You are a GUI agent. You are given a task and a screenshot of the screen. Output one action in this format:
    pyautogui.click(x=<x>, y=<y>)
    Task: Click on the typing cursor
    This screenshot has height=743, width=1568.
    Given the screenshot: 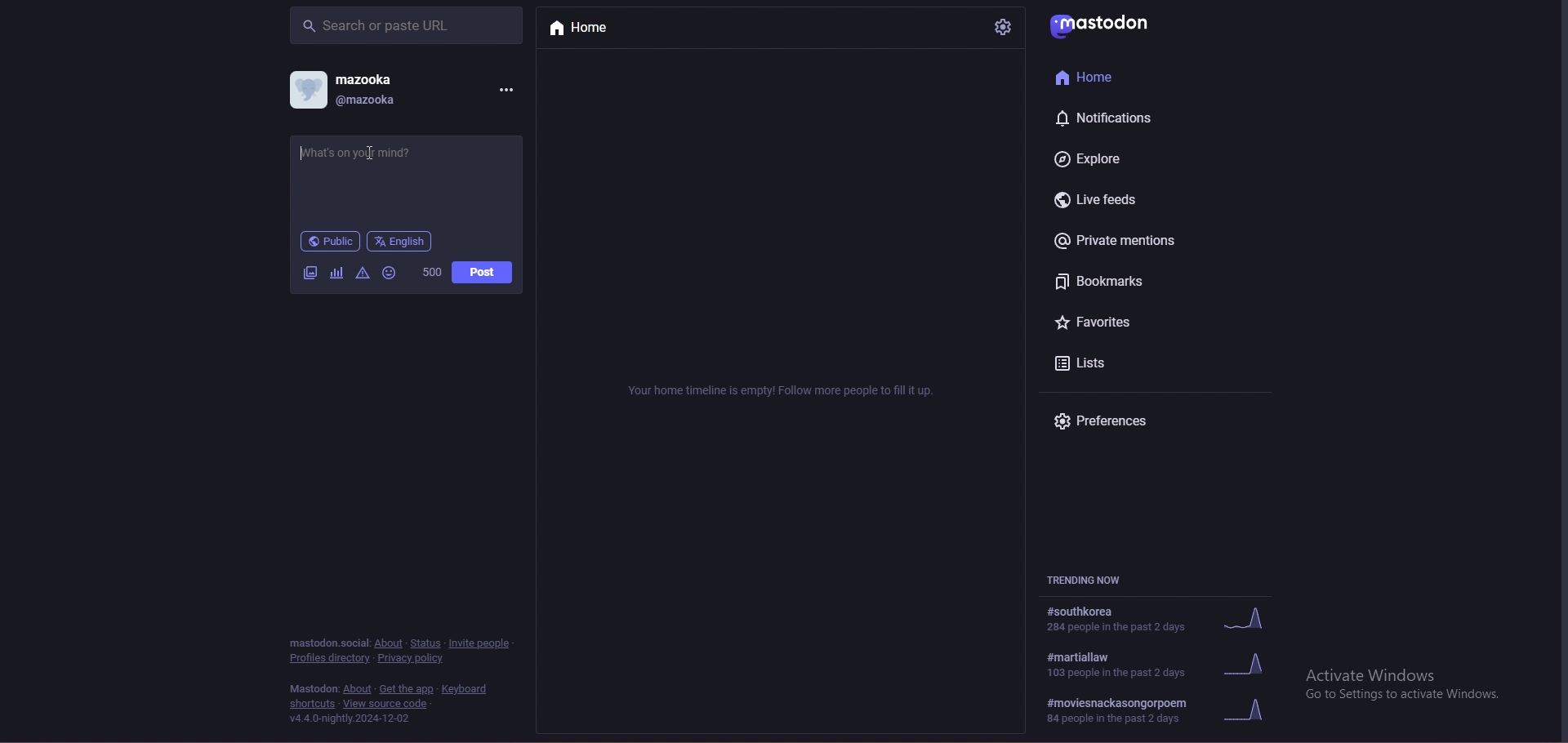 What is the action you would take?
    pyautogui.click(x=304, y=153)
    